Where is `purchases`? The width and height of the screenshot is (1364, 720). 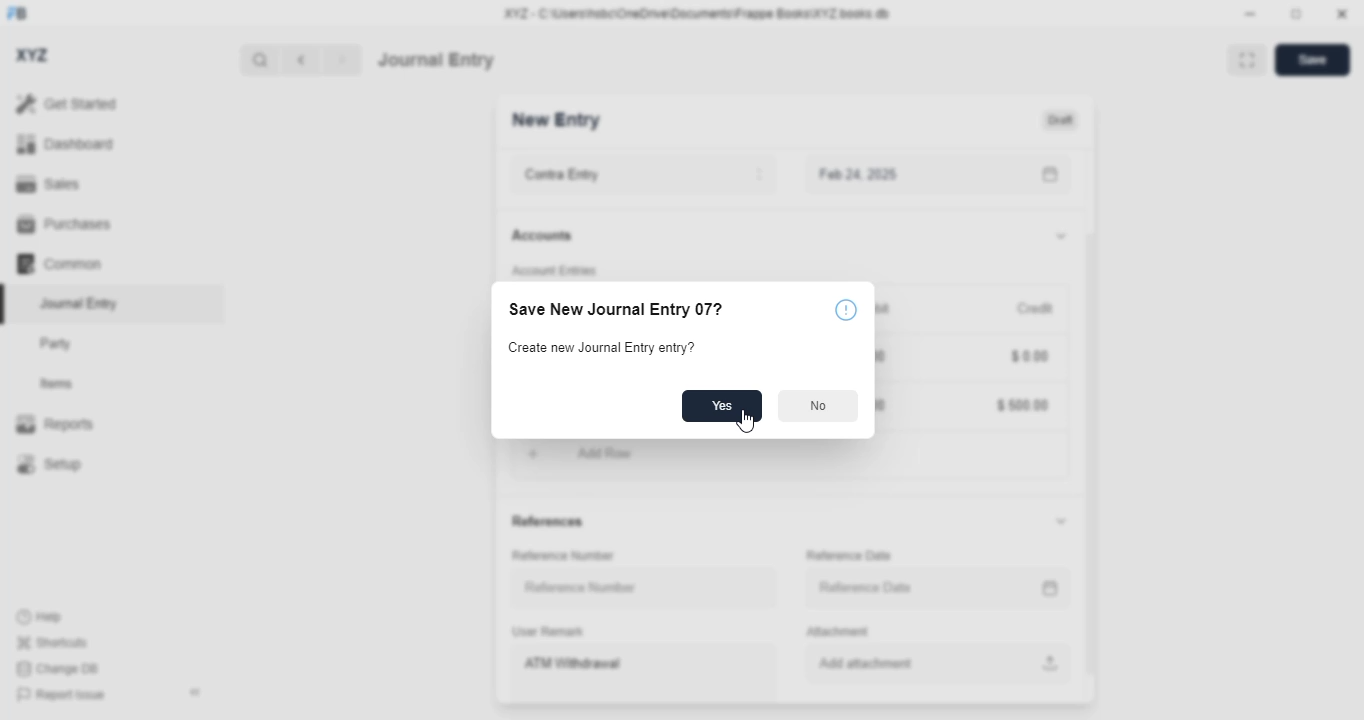 purchases is located at coordinates (66, 224).